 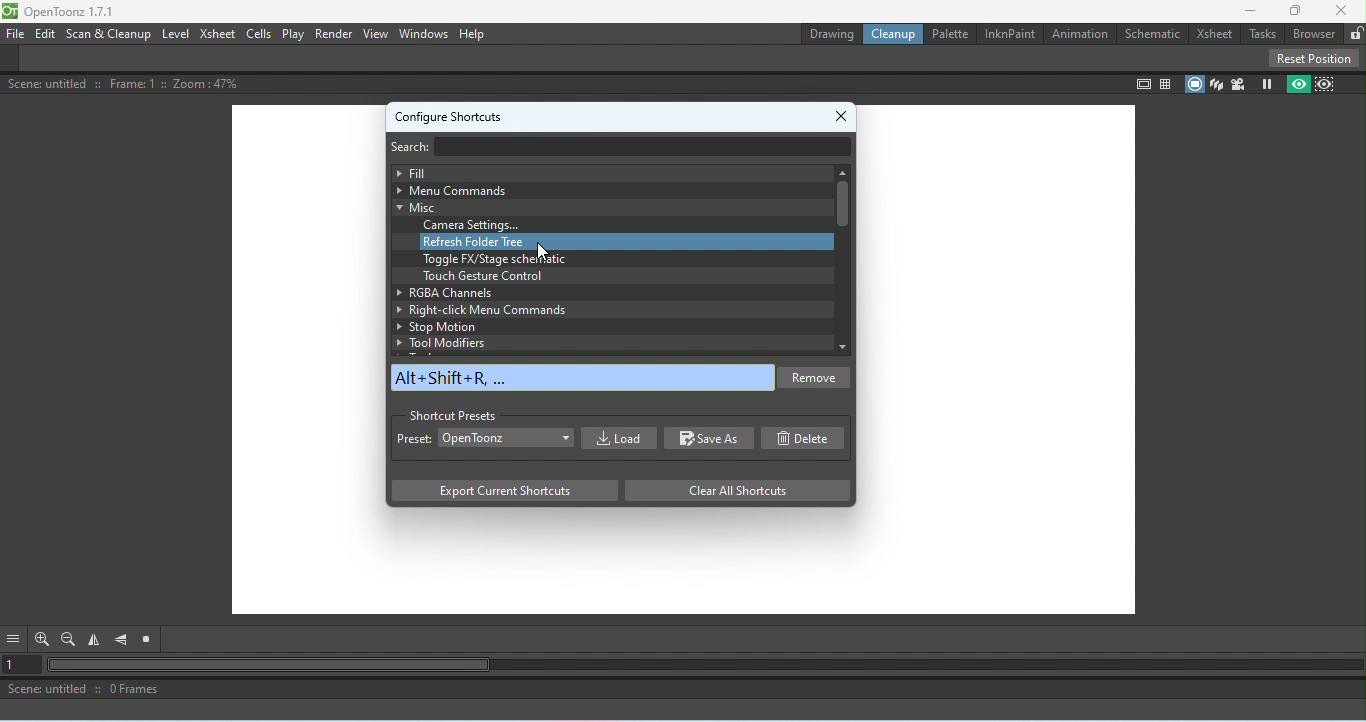 What do you see at coordinates (1296, 85) in the screenshot?
I see `Preview` at bounding box center [1296, 85].